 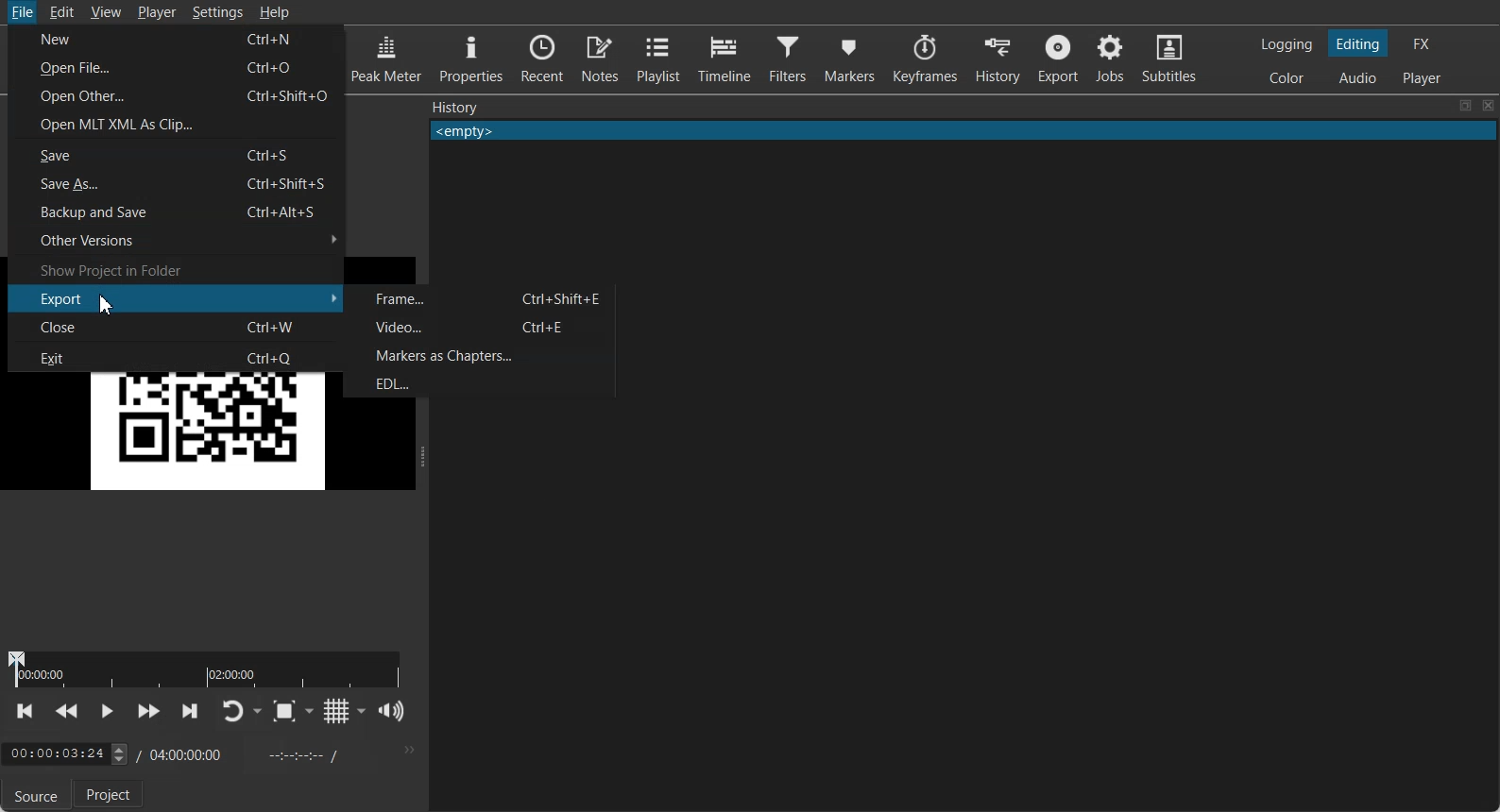 I want to click on Backup and Save, so click(x=104, y=212).